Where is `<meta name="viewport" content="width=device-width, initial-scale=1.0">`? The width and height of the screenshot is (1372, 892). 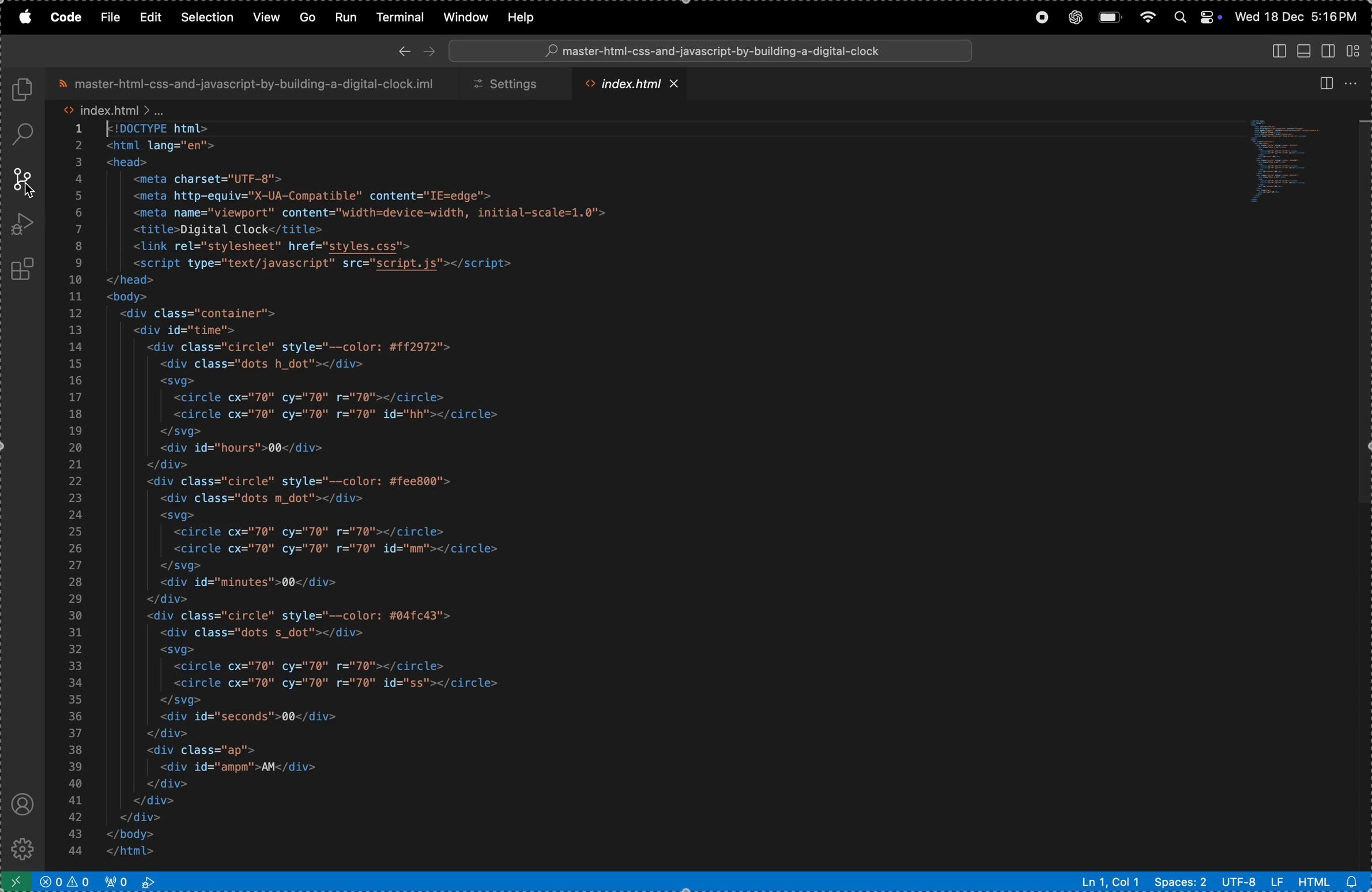
<meta name="viewport" content="width=device-width, initial-scale=1.0"> is located at coordinates (370, 212).